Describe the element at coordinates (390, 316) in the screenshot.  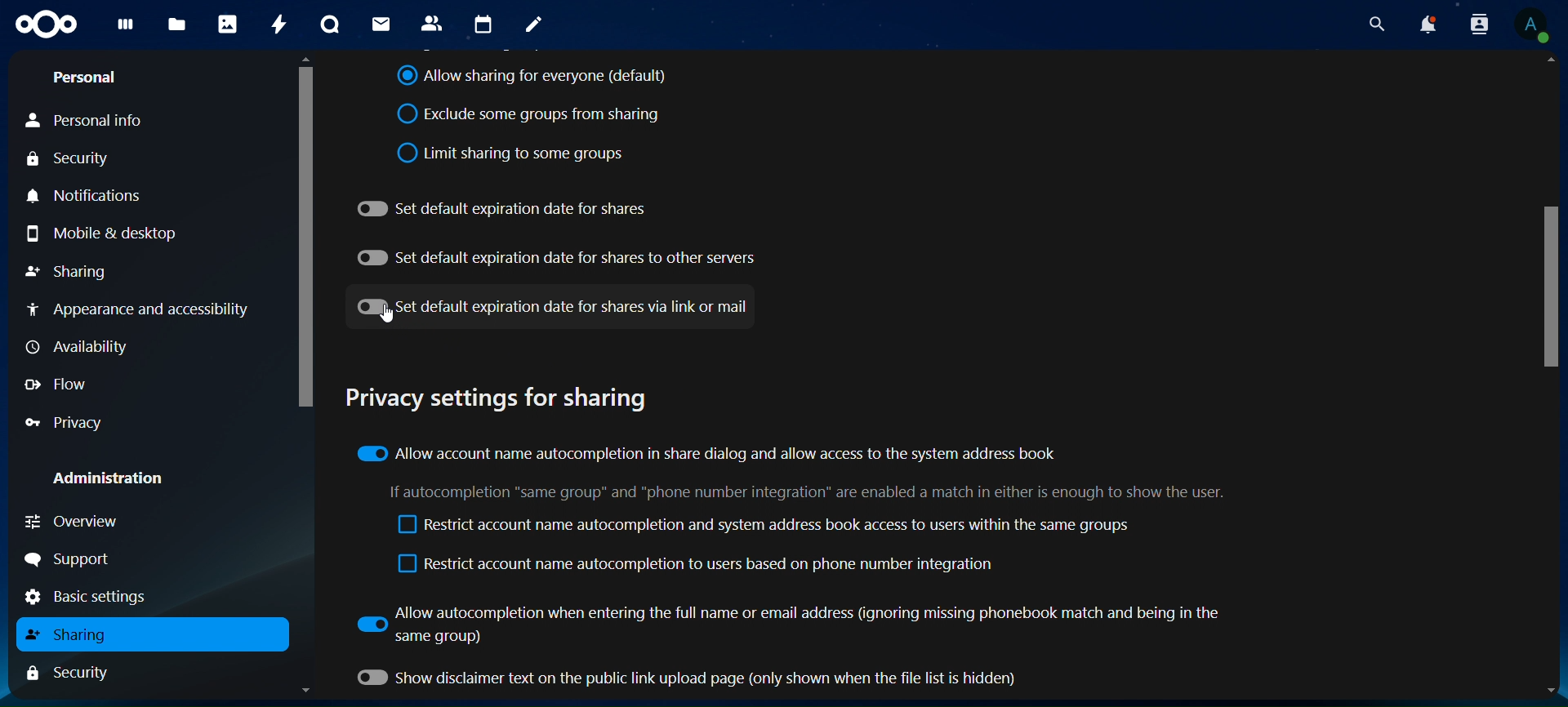
I see `Cursor` at that location.